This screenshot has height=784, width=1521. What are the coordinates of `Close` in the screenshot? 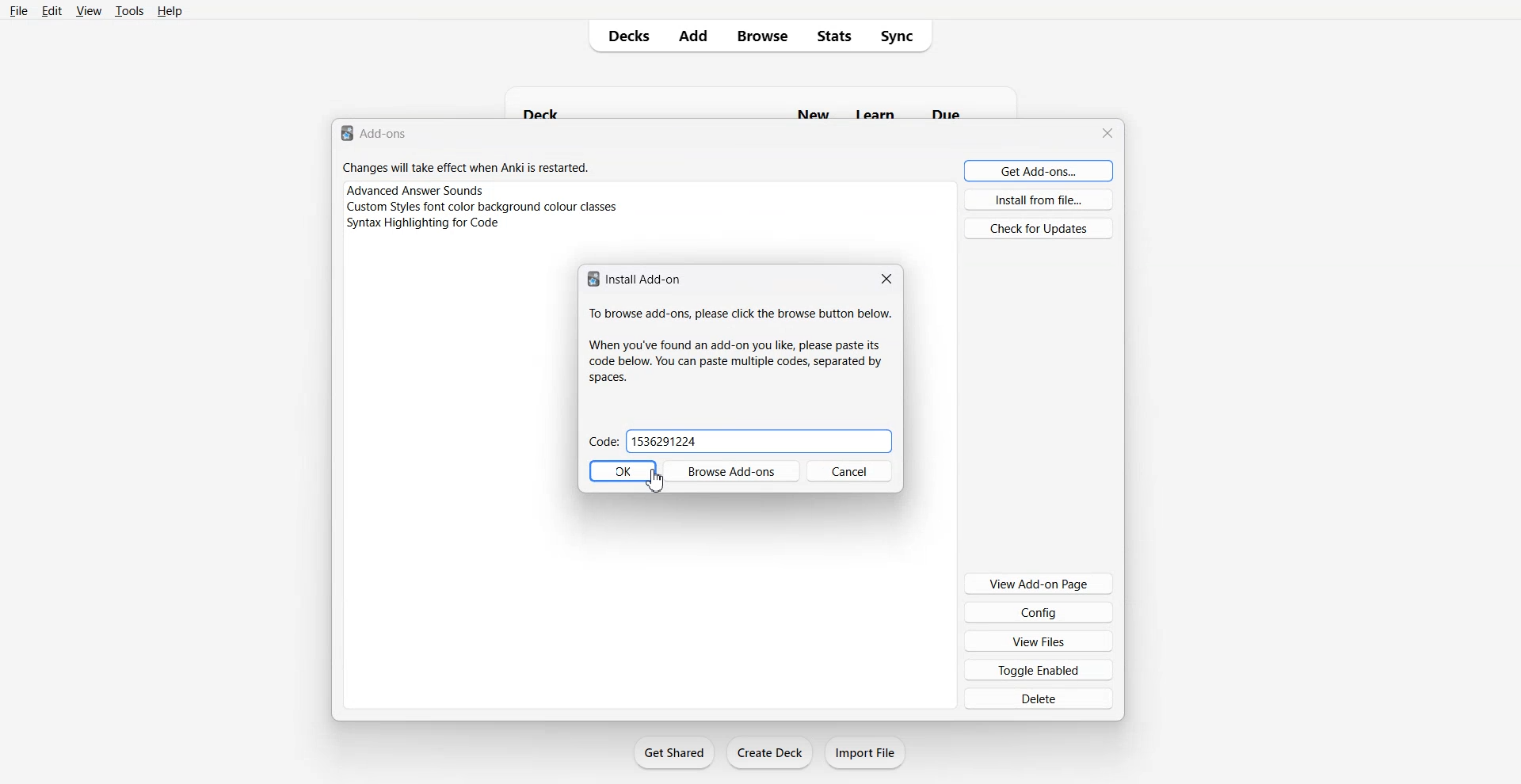 It's located at (1109, 133).